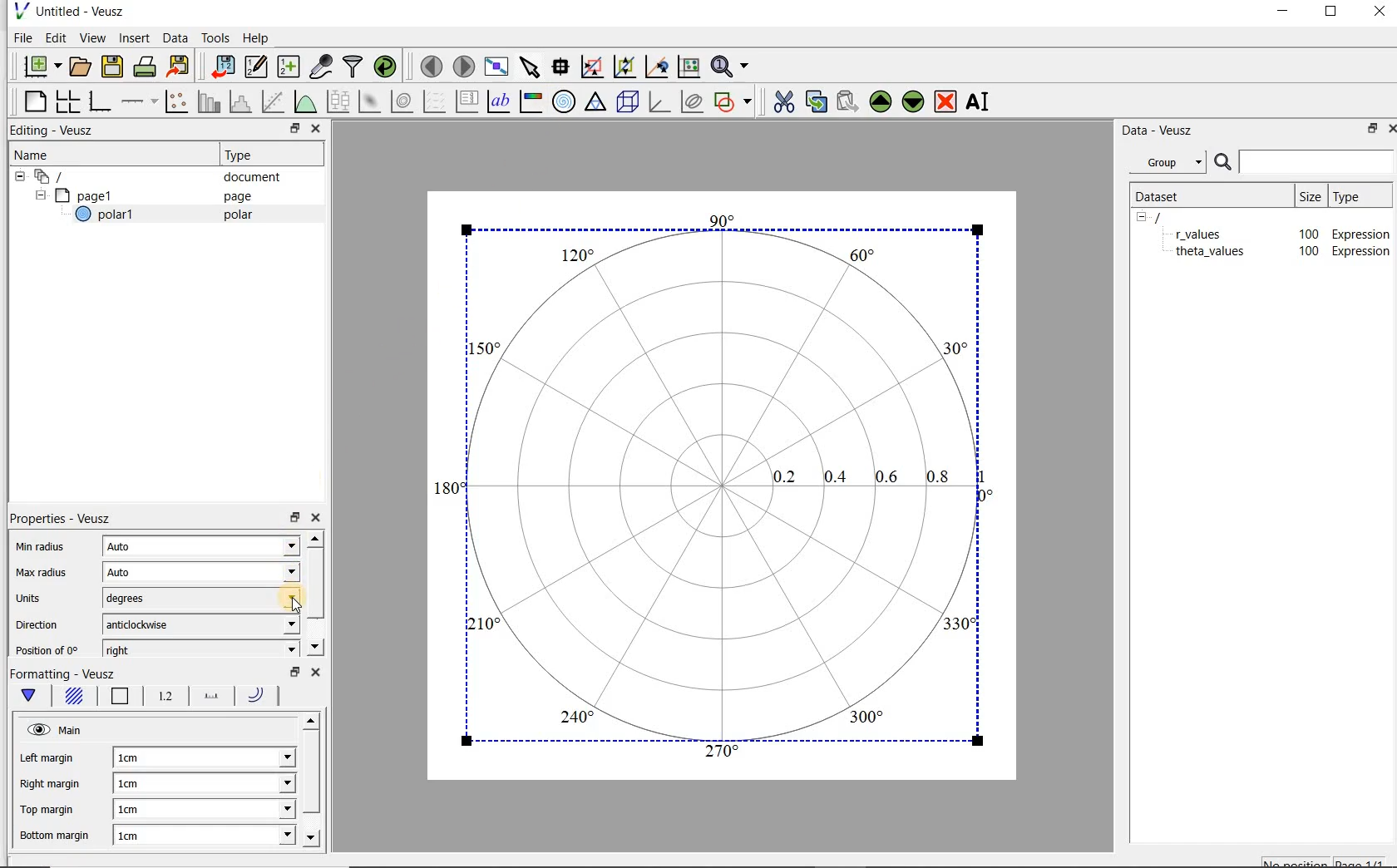  What do you see at coordinates (1281, 13) in the screenshot?
I see `minimize` at bounding box center [1281, 13].